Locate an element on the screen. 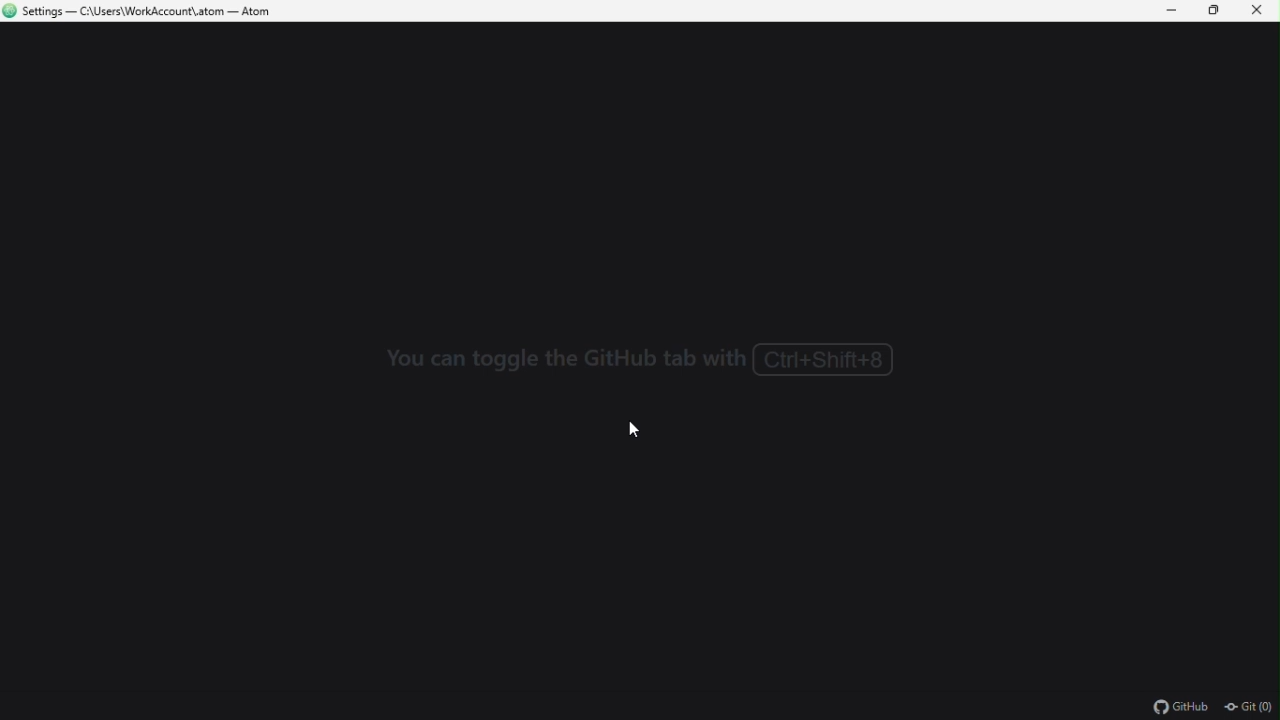 Image resolution: width=1280 pixels, height=720 pixels. mouse is located at coordinates (644, 431).